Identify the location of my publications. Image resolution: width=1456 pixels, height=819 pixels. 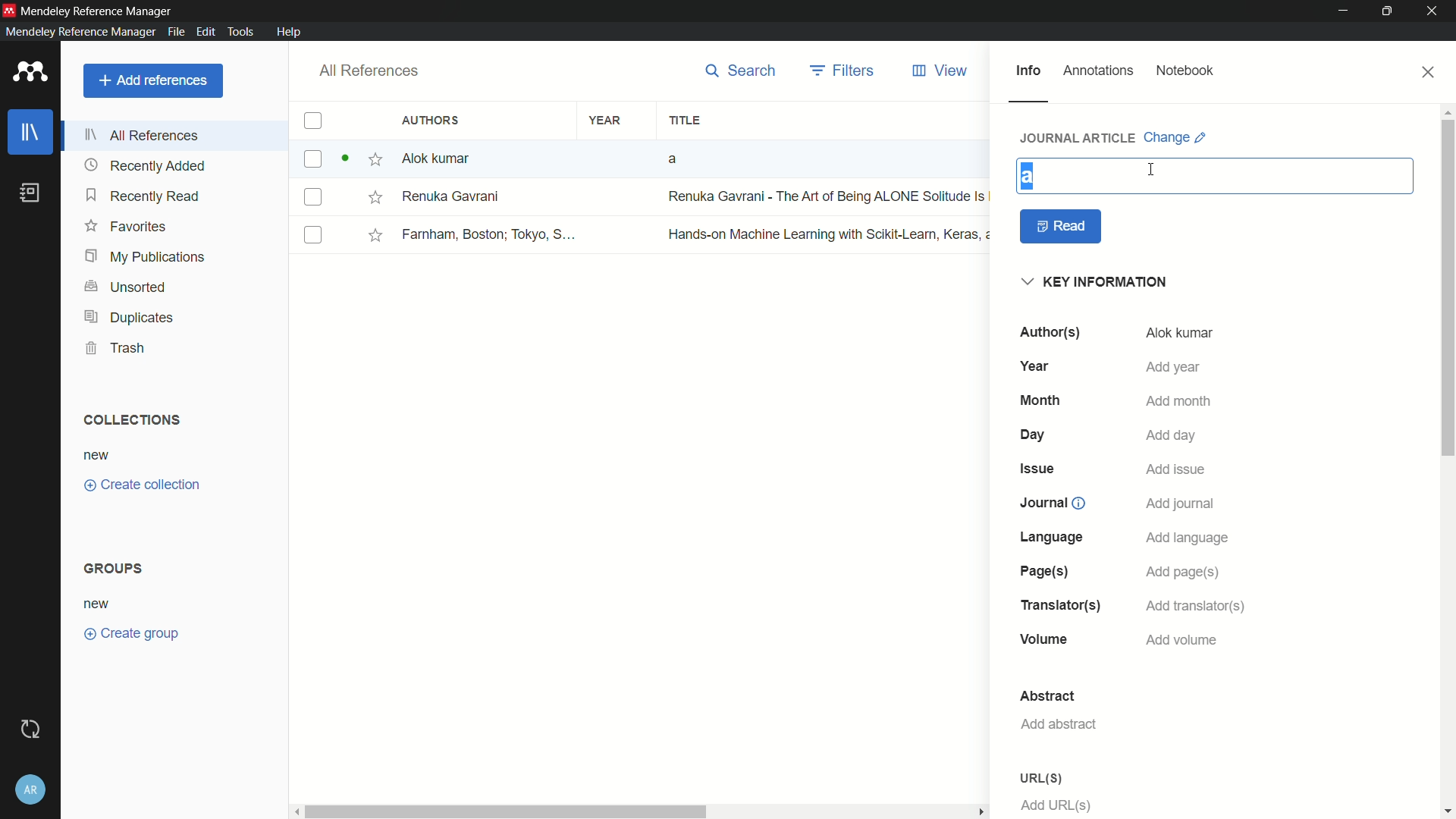
(146, 258).